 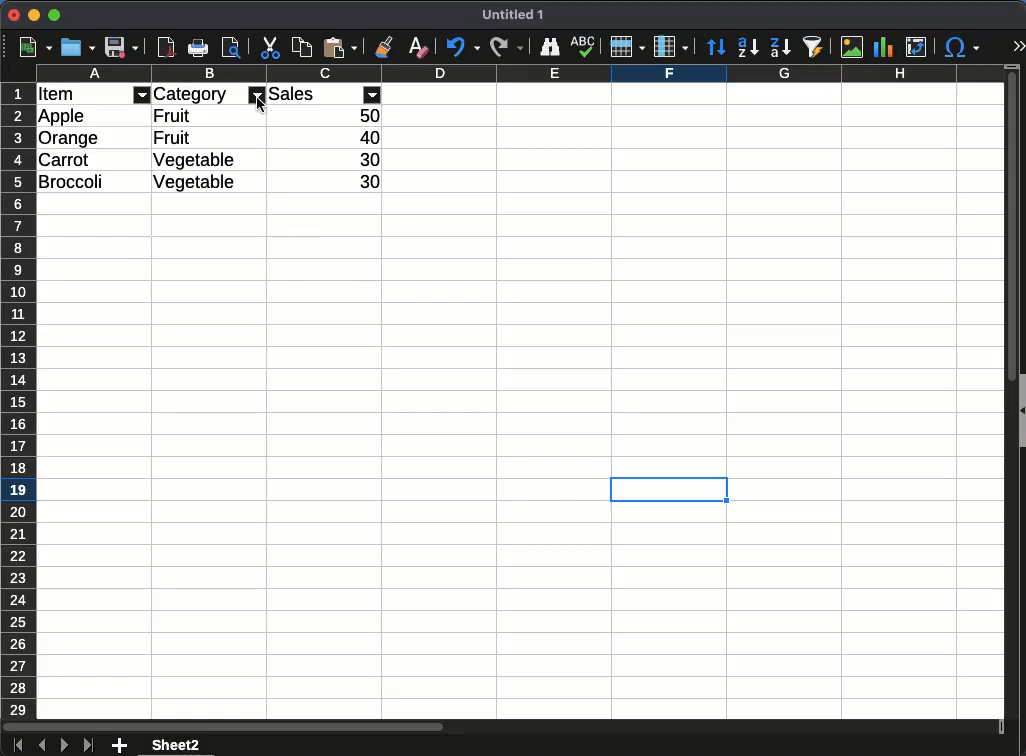 I want to click on scroll, so click(x=1008, y=402).